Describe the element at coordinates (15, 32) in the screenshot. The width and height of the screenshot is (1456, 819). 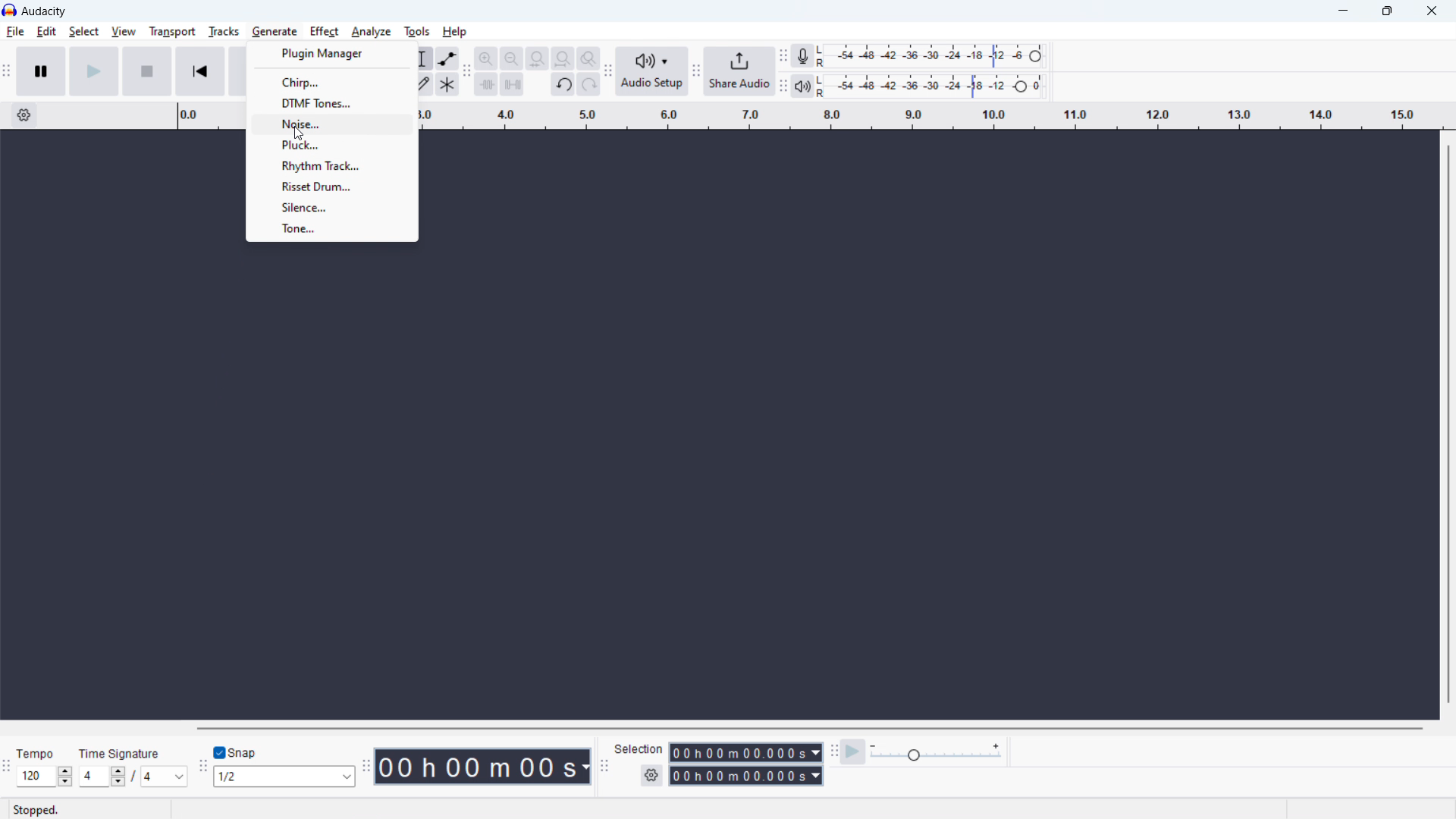
I see `file` at that location.